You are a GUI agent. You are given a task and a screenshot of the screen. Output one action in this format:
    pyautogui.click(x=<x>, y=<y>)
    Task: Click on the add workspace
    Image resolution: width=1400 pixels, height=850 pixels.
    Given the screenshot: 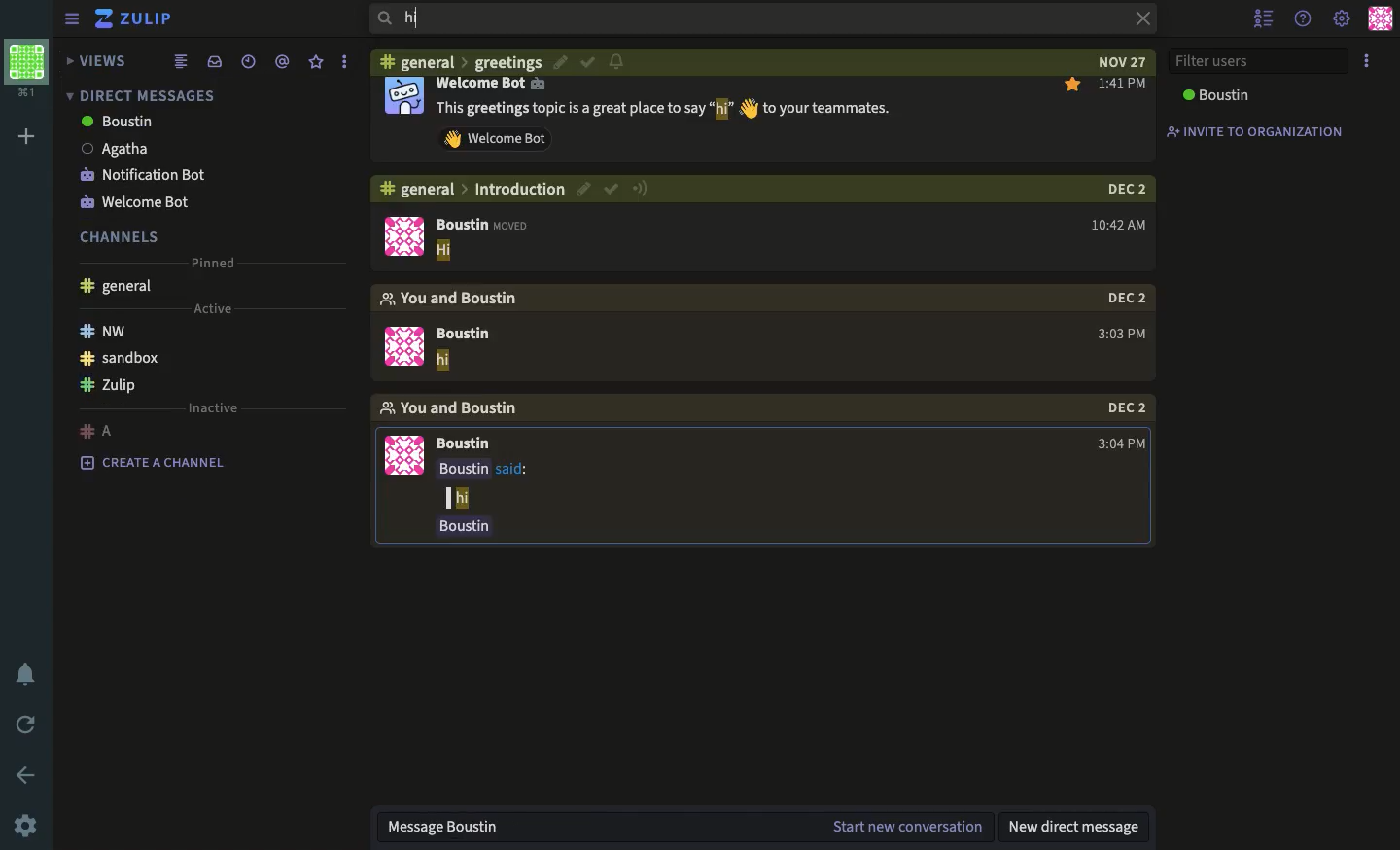 What is the action you would take?
    pyautogui.click(x=28, y=133)
    